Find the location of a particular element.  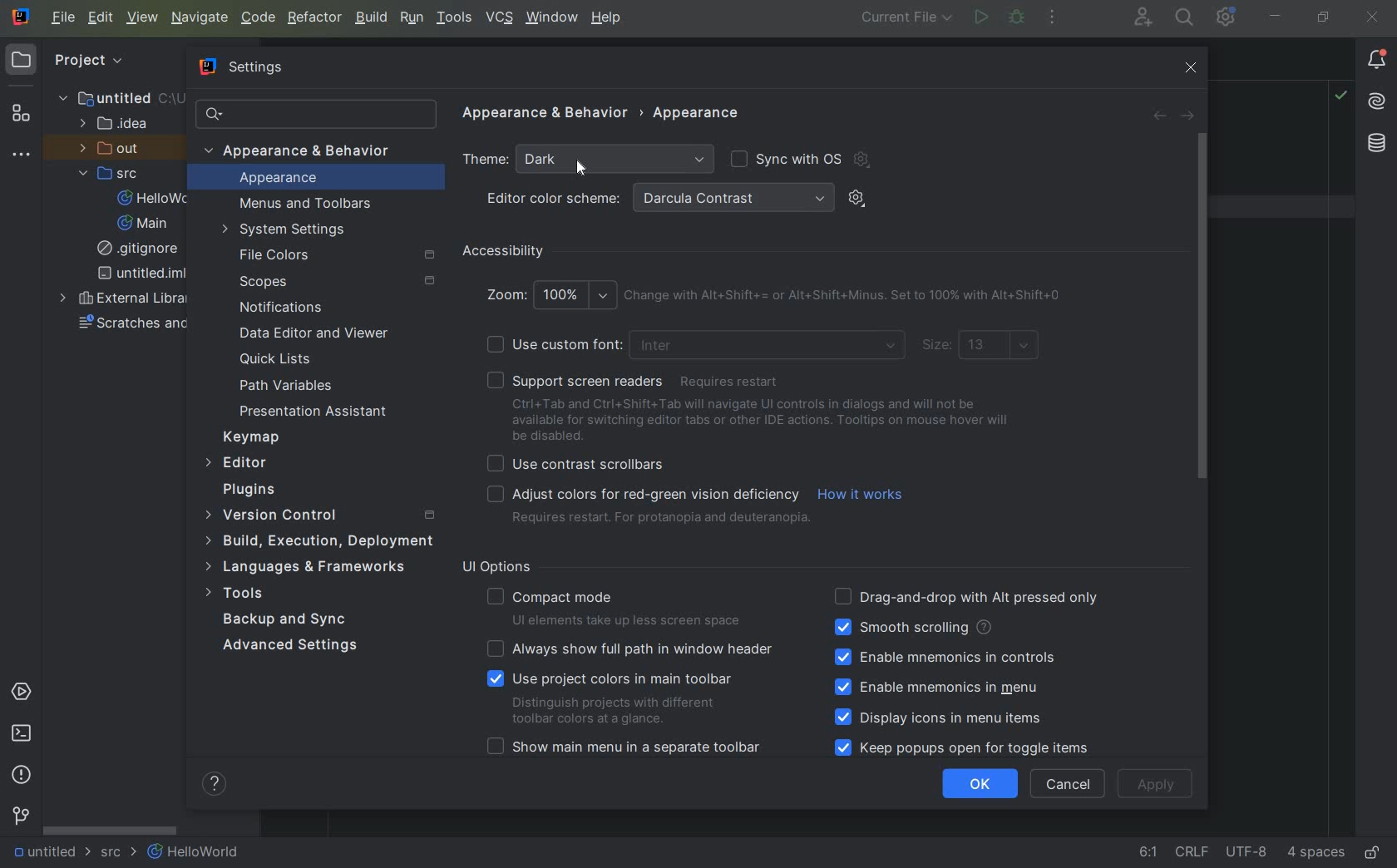

ok is located at coordinates (980, 783).